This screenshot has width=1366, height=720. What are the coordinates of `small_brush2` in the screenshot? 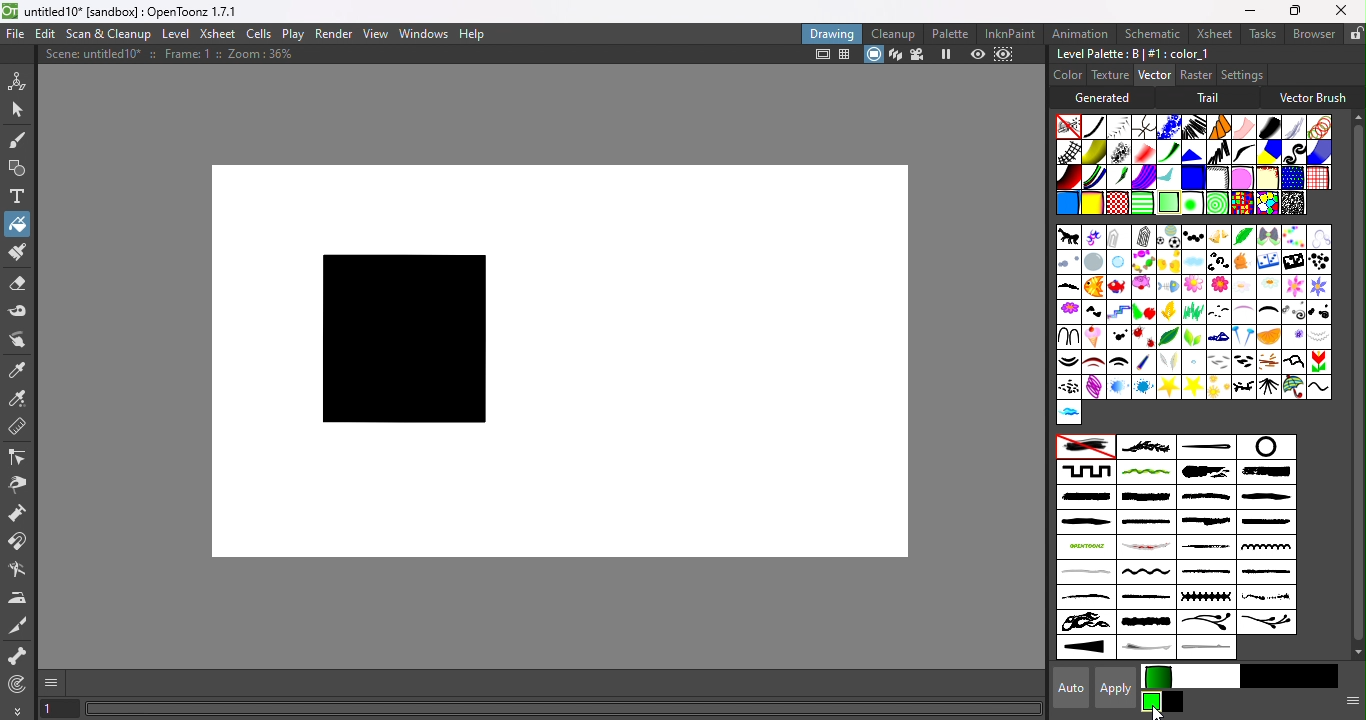 It's located at (1265, 573).